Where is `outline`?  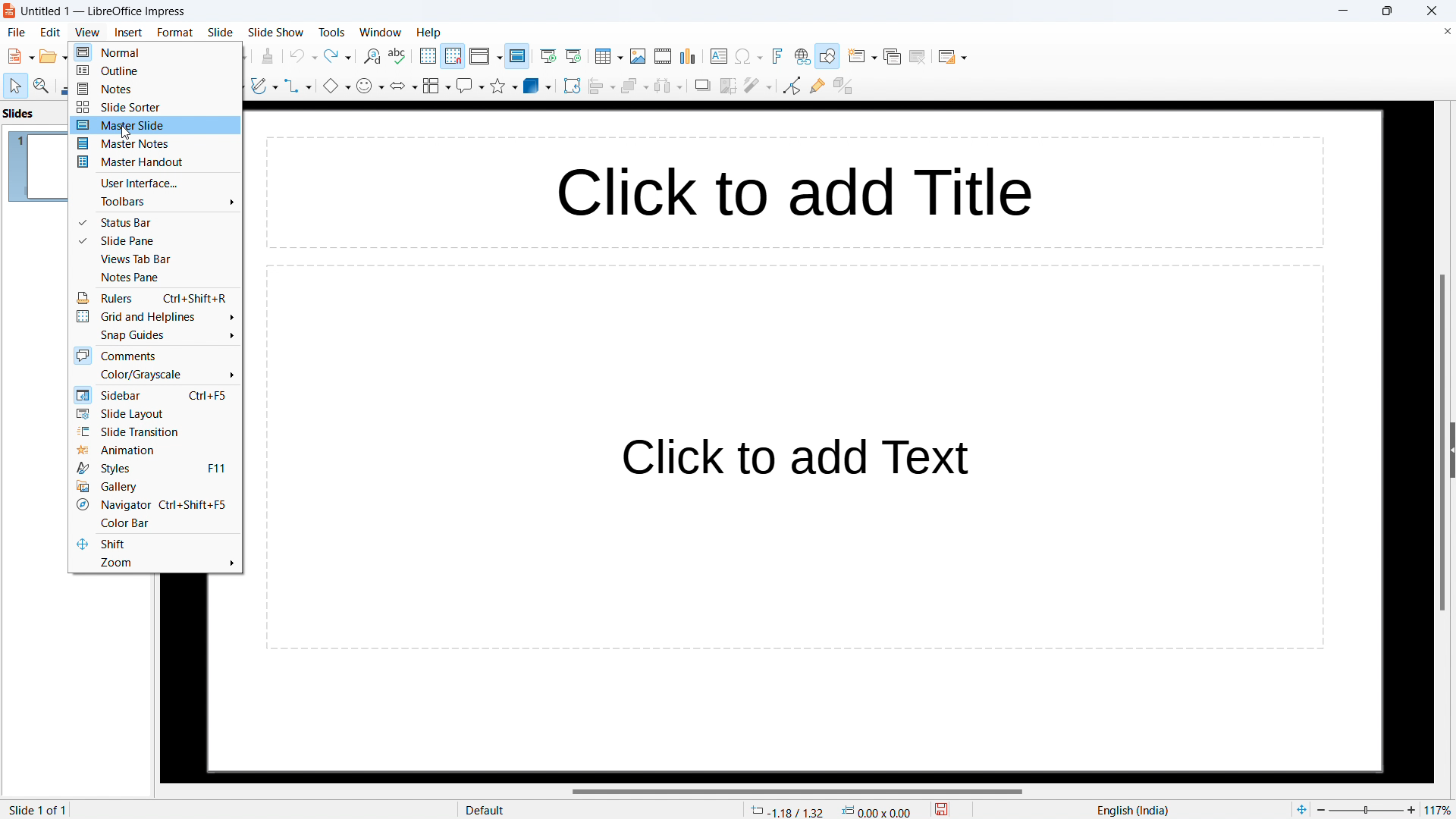
outline is located at coordinates (155, 71).